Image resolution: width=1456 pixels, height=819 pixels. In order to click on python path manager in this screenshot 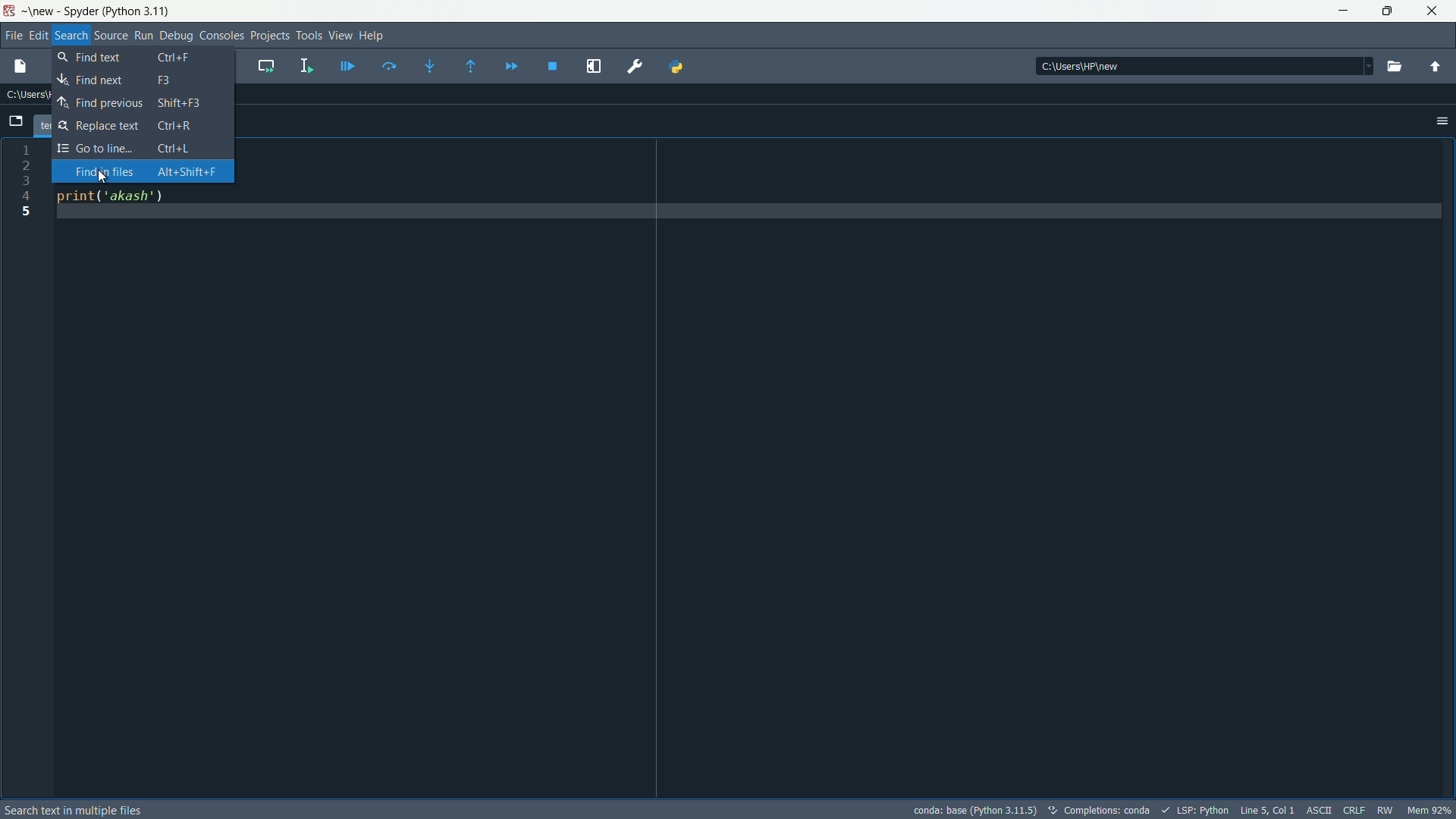, I will do `click(676, 65)`.